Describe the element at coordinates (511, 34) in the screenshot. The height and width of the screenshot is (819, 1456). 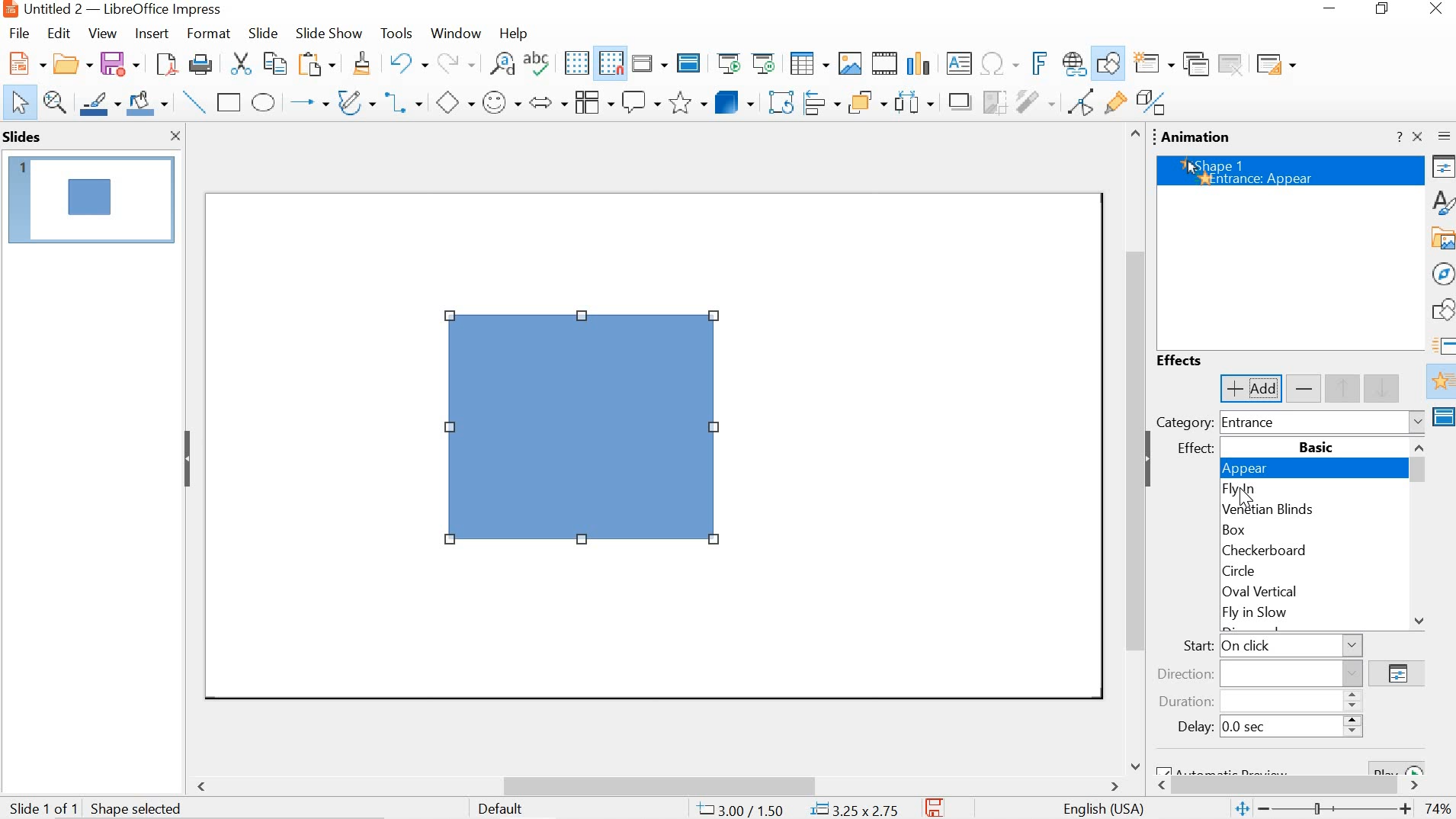
I see `help` at that location.